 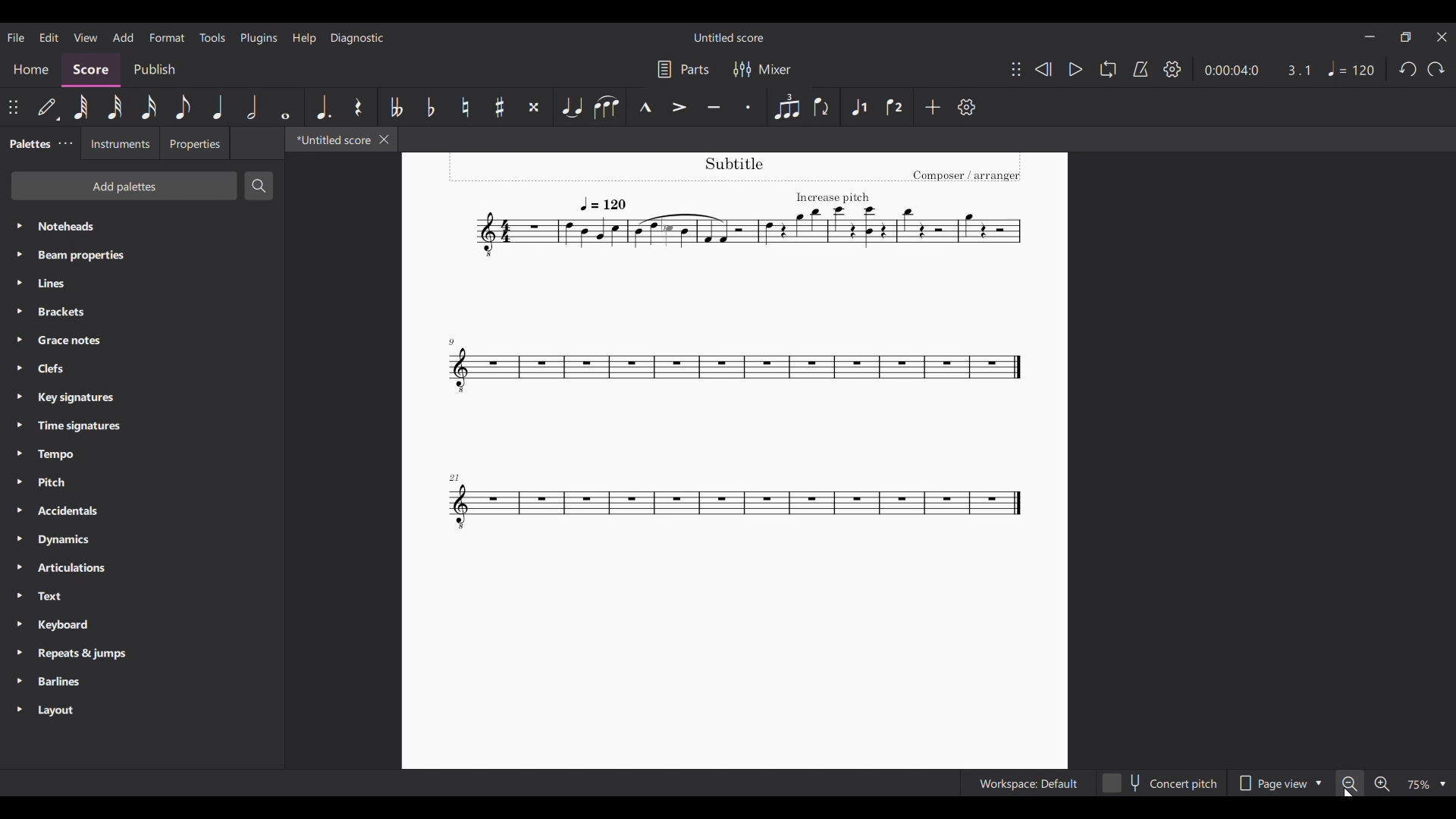 I want to click on Zoom options, so click(x=1440, y=784).